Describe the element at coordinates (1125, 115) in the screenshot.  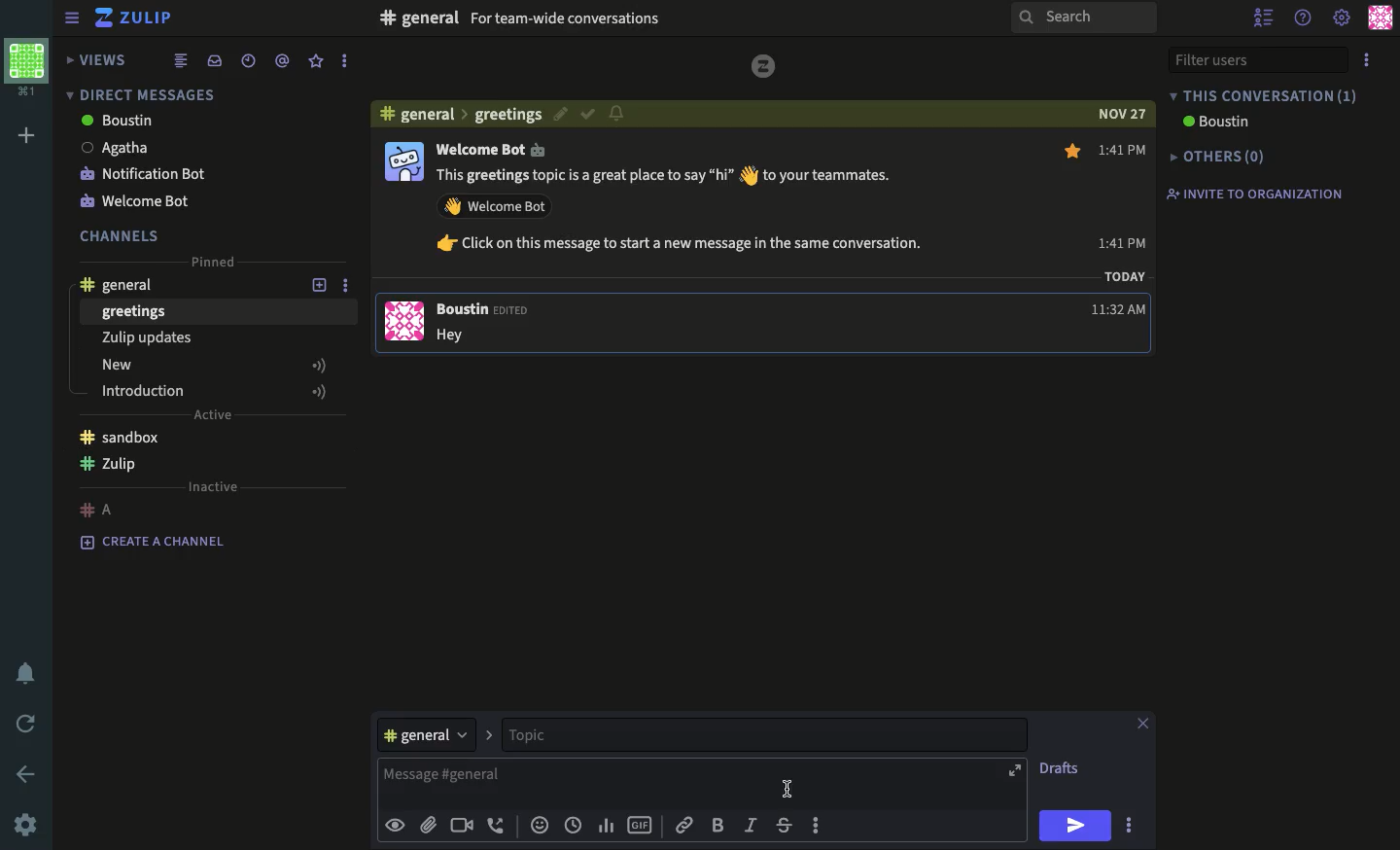
I see `NOV 27` at that location.